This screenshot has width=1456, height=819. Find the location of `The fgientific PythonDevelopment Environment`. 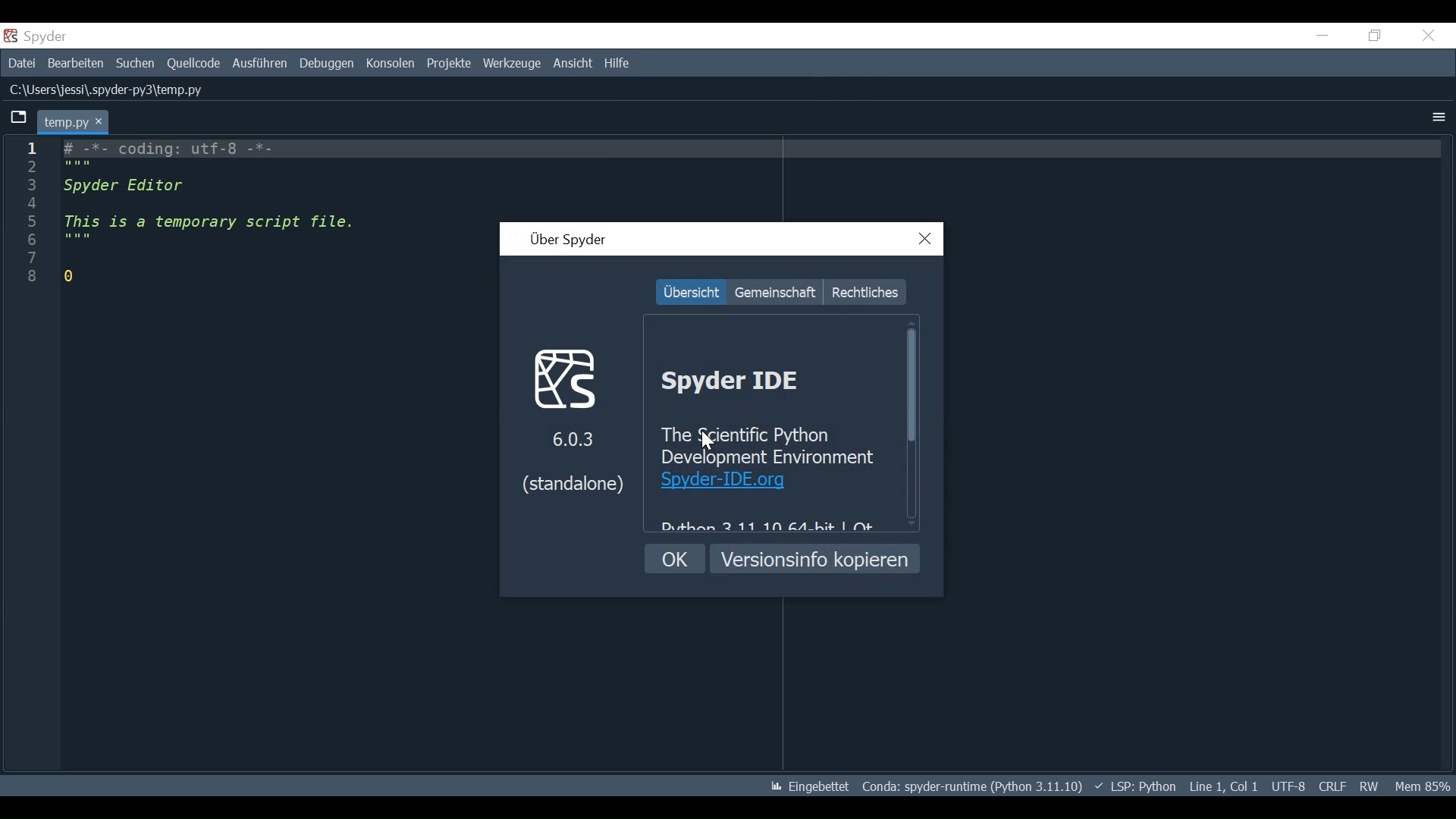

The fgientific PythonDevelopment Environment is located at coordinates (768, 443).